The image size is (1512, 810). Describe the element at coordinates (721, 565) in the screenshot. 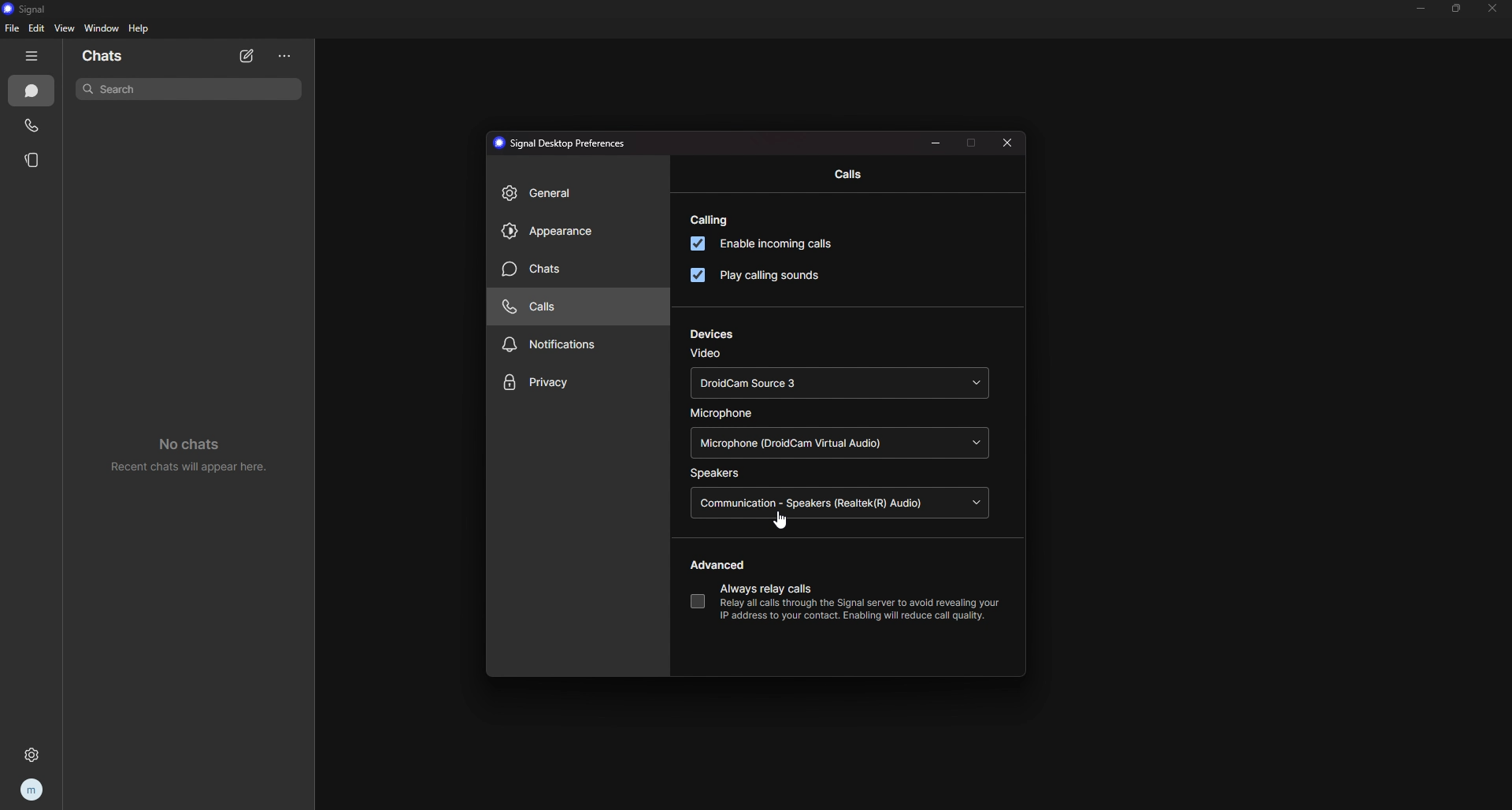

I see `advanced` at that location.